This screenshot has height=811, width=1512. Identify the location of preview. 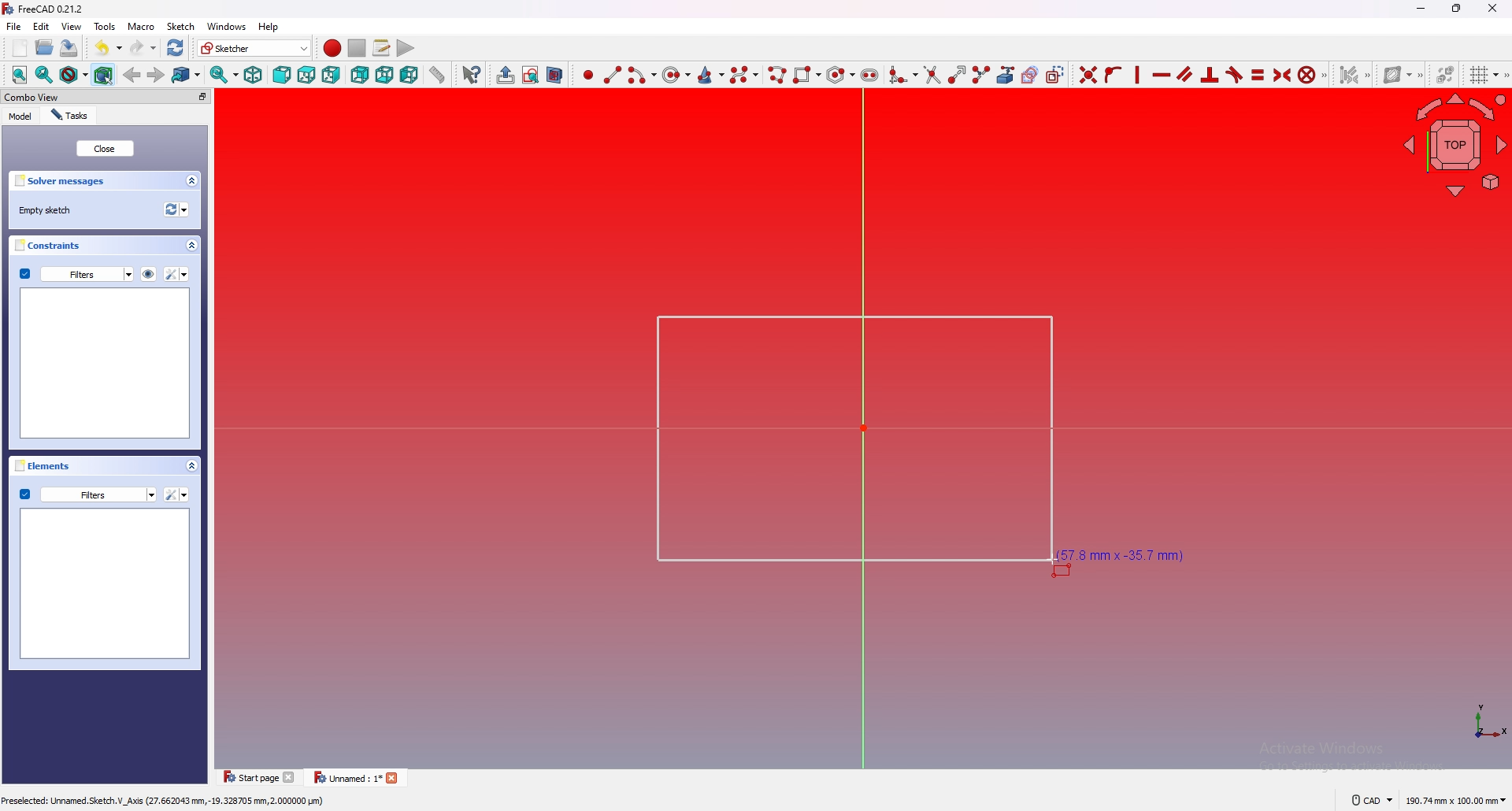
(104, 362).